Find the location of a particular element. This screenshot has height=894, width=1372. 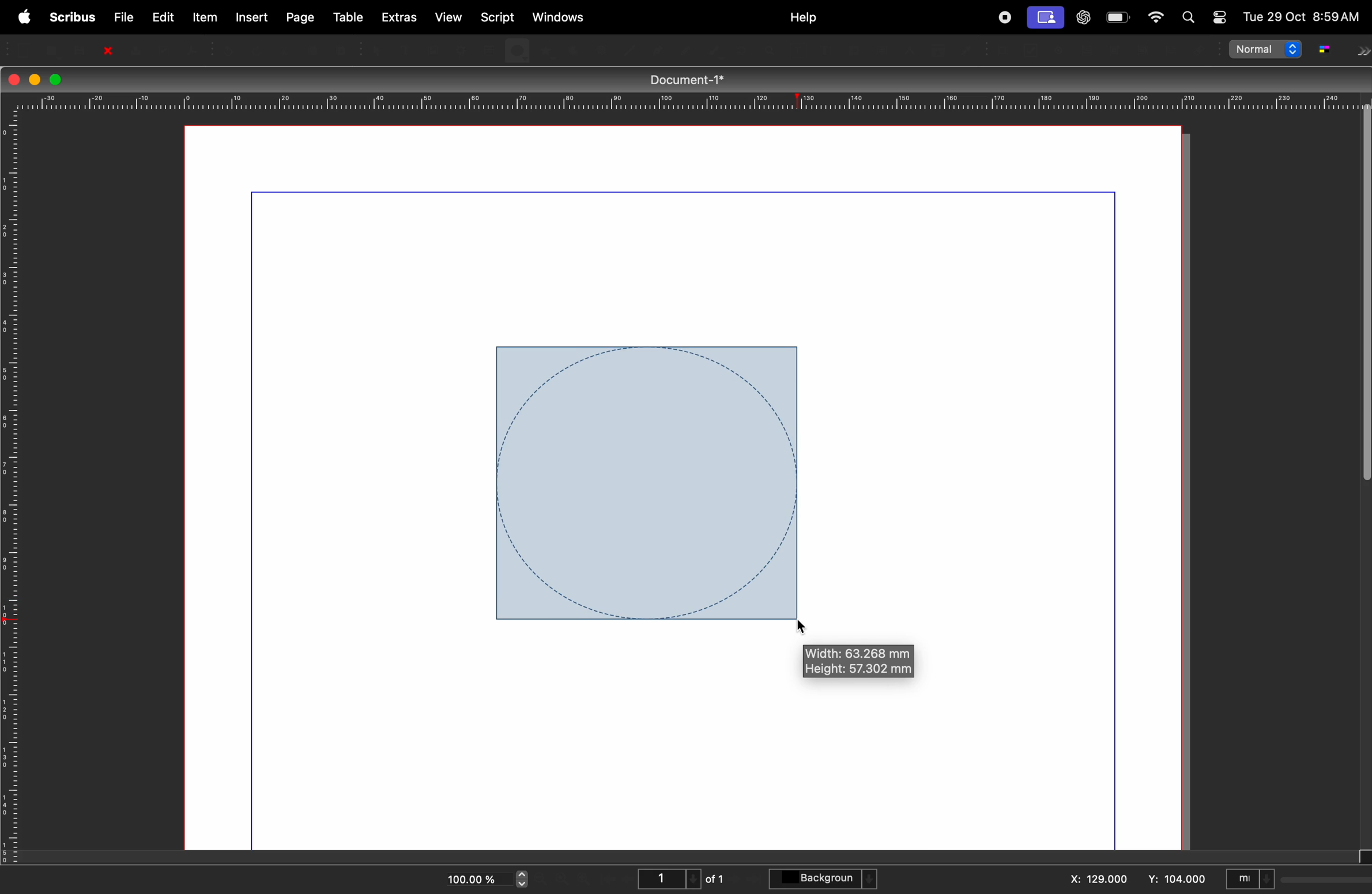

normal is located at coordinates (1265, 52).